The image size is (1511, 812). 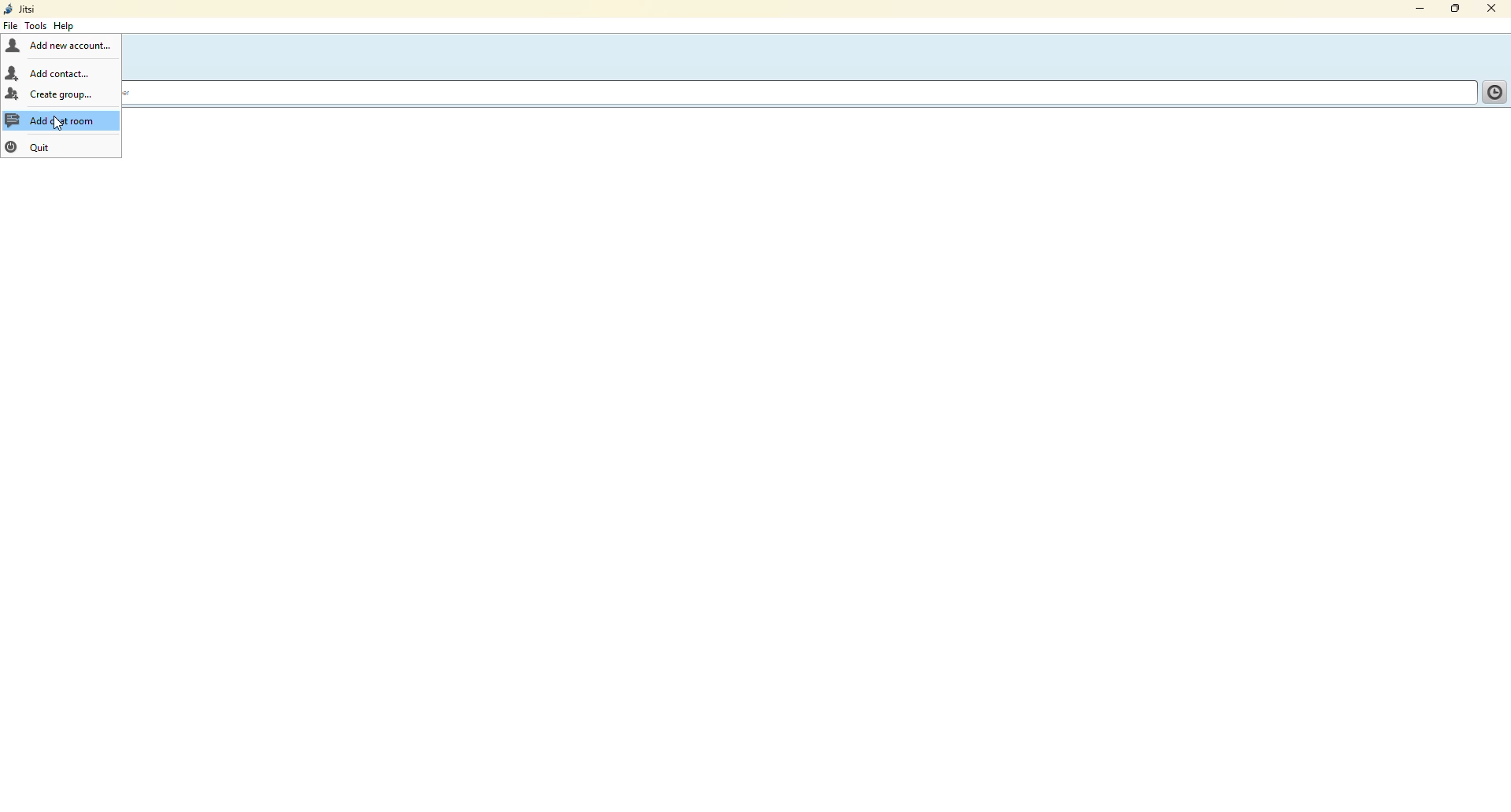 What do you see at coordinates (1493, 6) in the screenshot?
I see `close` at bounding box center [1493, 6].